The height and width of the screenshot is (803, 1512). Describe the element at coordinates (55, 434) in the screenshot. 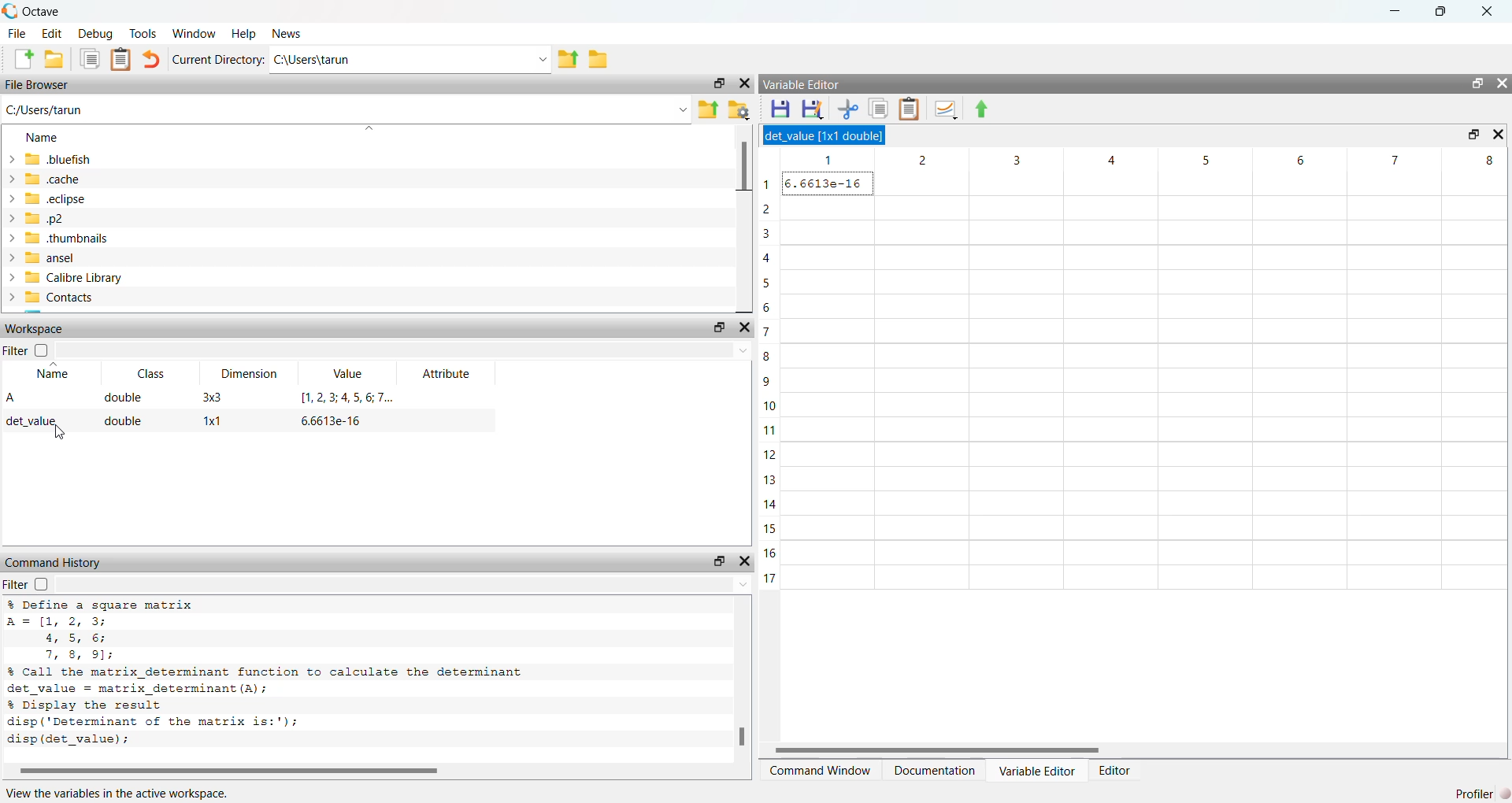

I see `cursor` at that location.